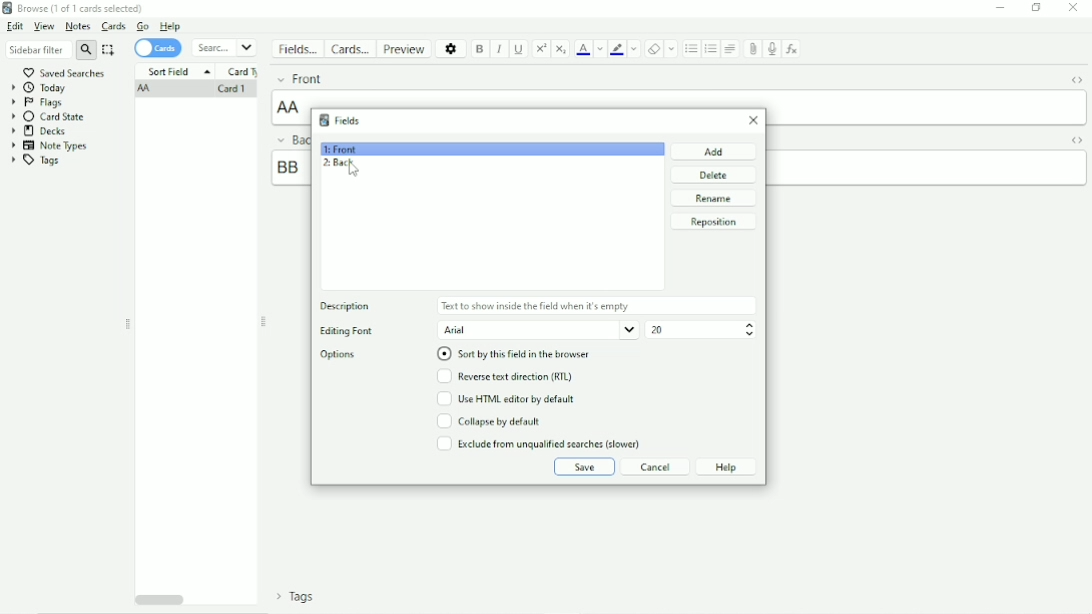 Image resolution: width=1092 pixels, height=614 pixels. What do you see at coordinates (750, 325) in the screenshot?
I see `Increment value` at bounding box center [750, 325].